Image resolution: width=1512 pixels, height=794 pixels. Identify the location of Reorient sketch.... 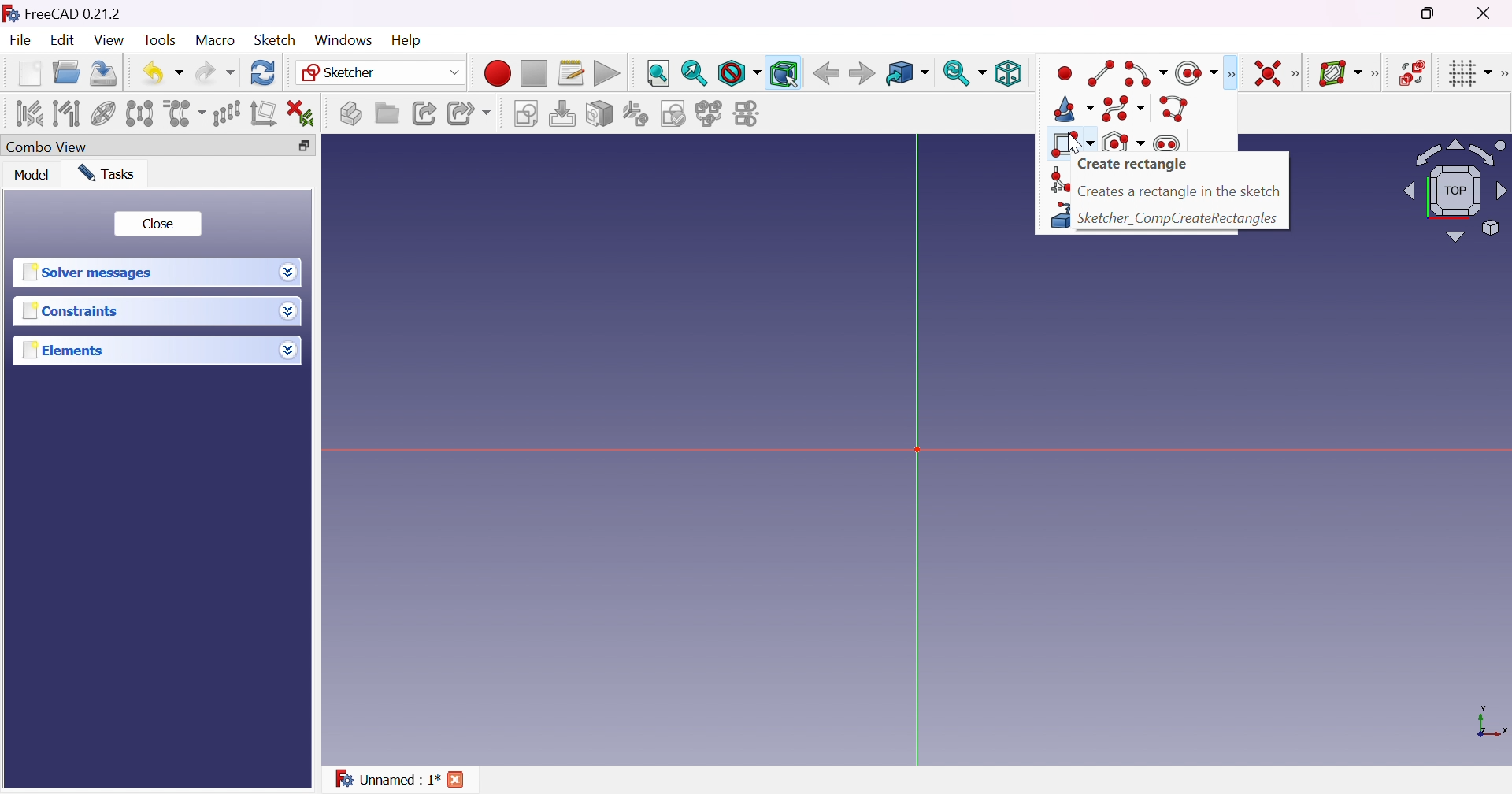
(634, 114).